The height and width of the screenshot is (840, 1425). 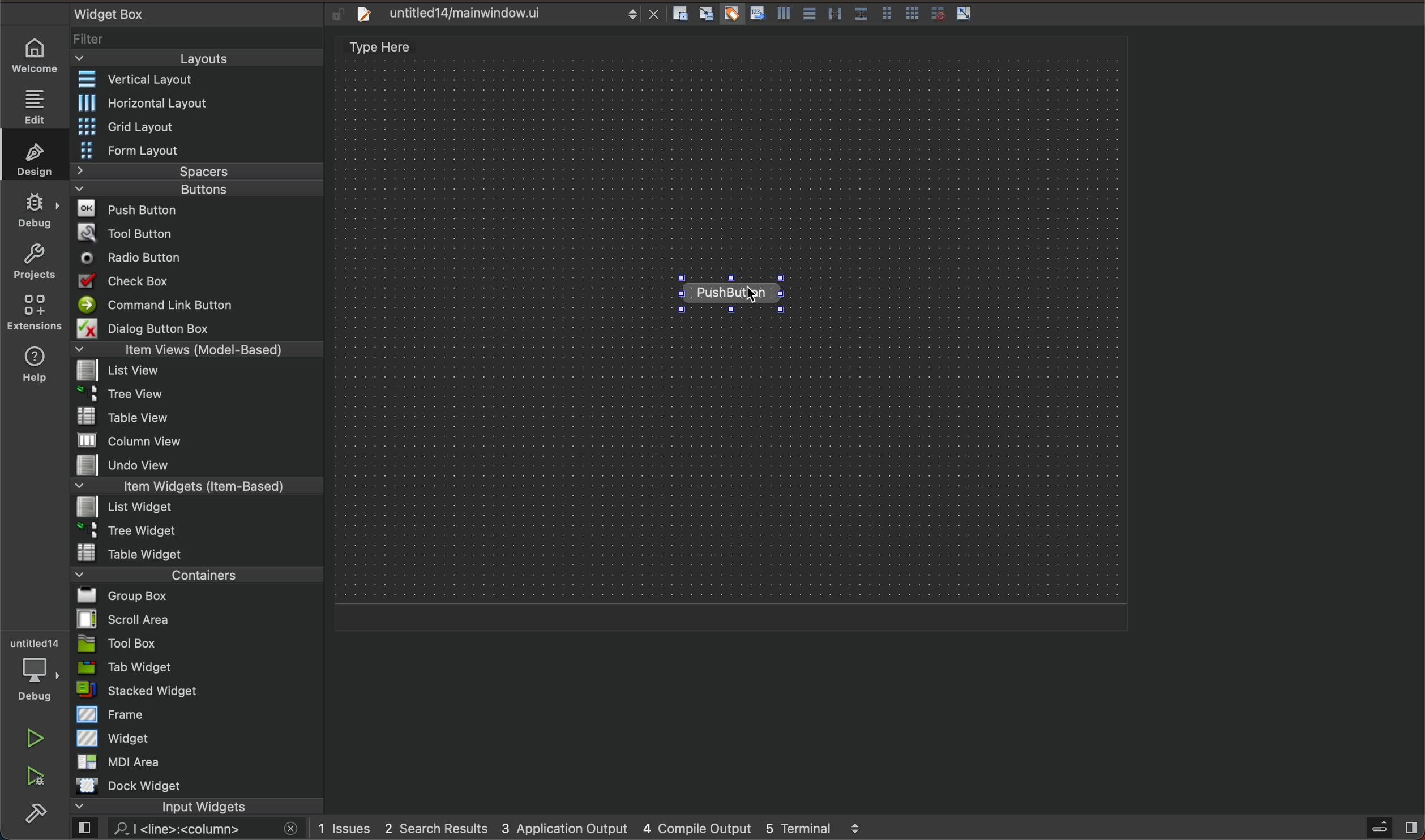 I want to click on tree widget, so click(x=198, y=531).